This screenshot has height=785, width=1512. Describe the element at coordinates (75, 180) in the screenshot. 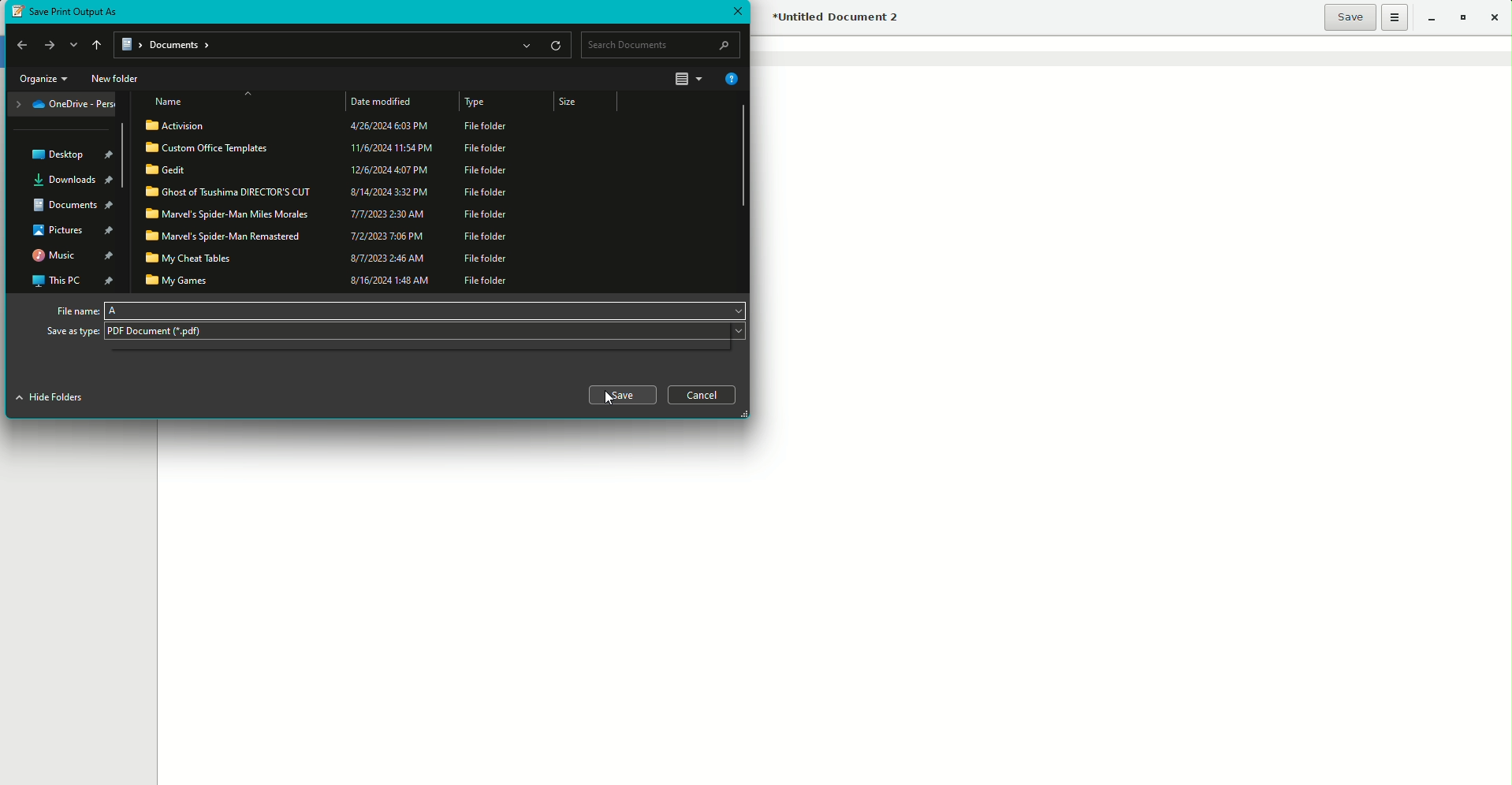

I see `Downloads` at that location.